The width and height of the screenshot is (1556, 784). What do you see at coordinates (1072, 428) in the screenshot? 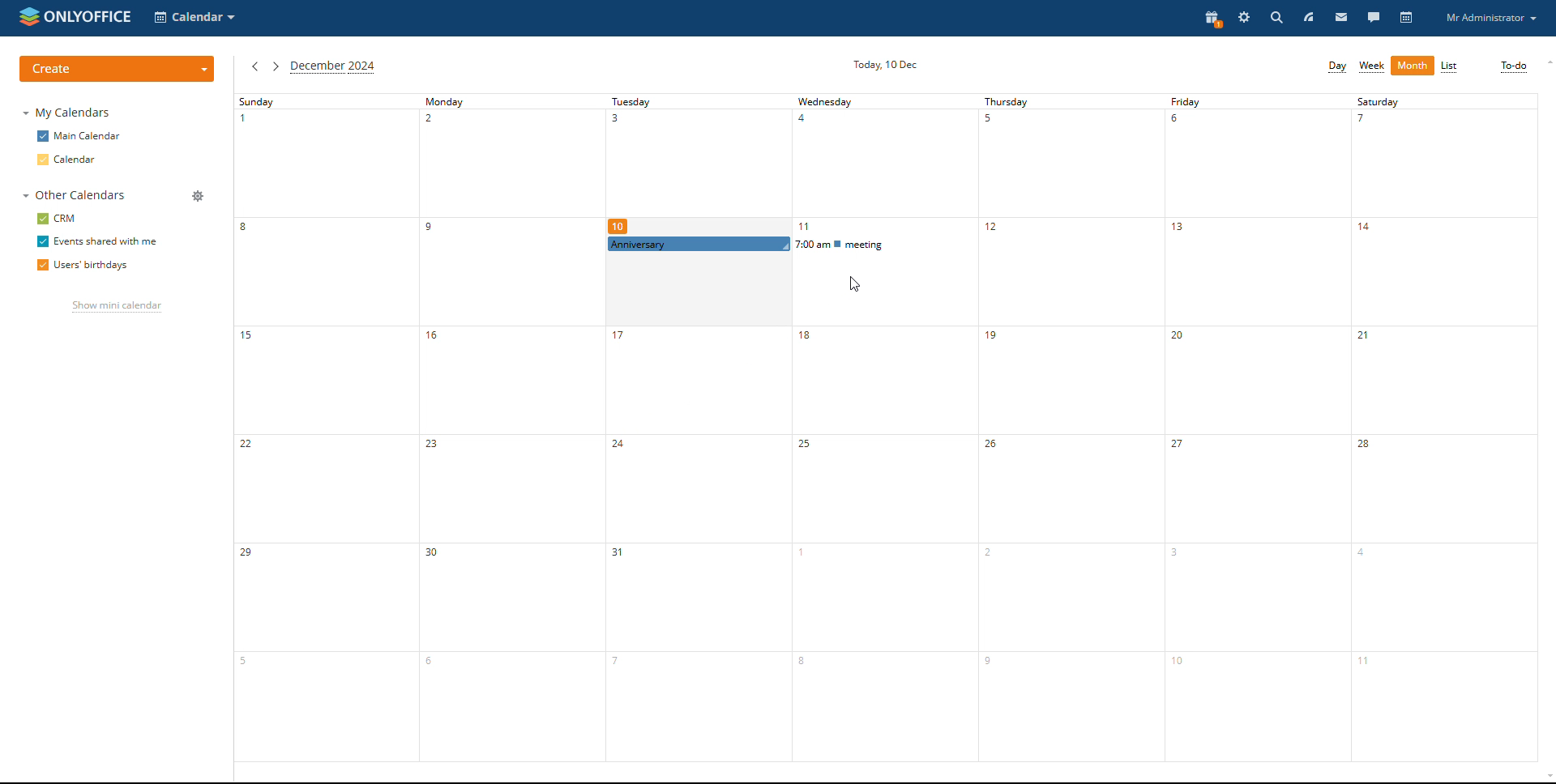
I see `thursday` at bounding box center [1072, 428].